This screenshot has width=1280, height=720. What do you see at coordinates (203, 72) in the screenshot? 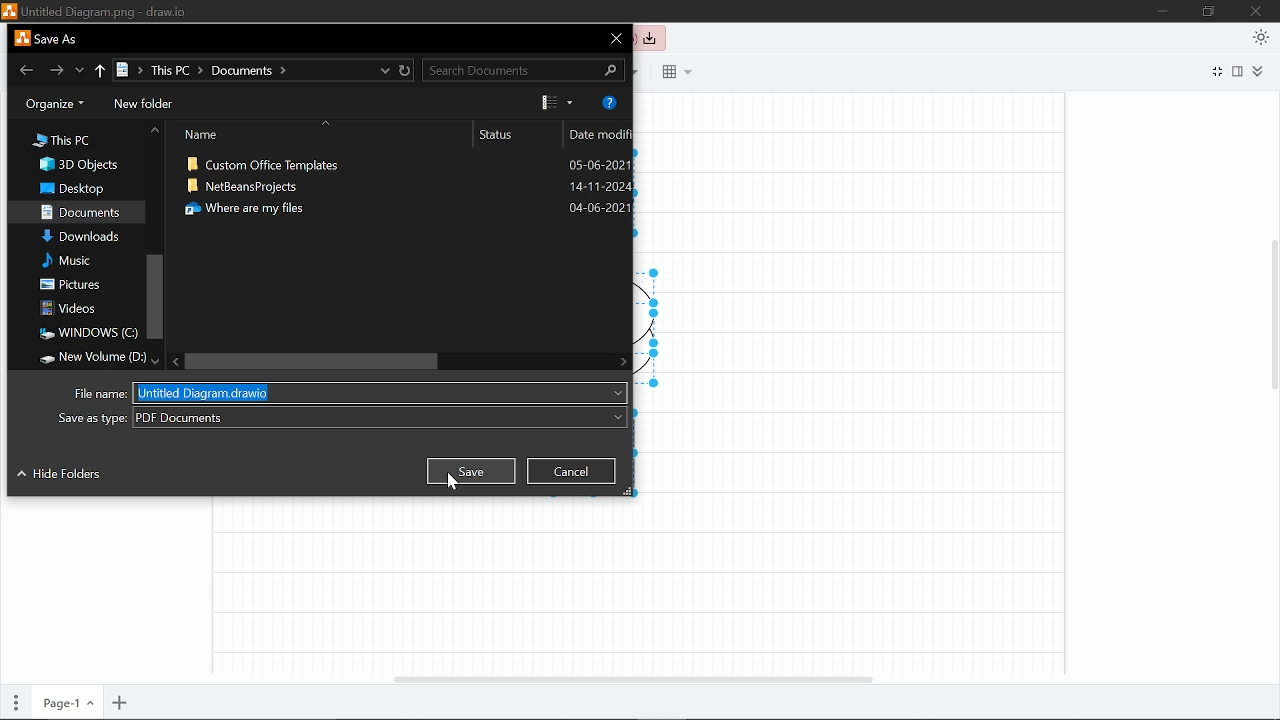
I see `Path to current location` at bounding box center [203, 72].